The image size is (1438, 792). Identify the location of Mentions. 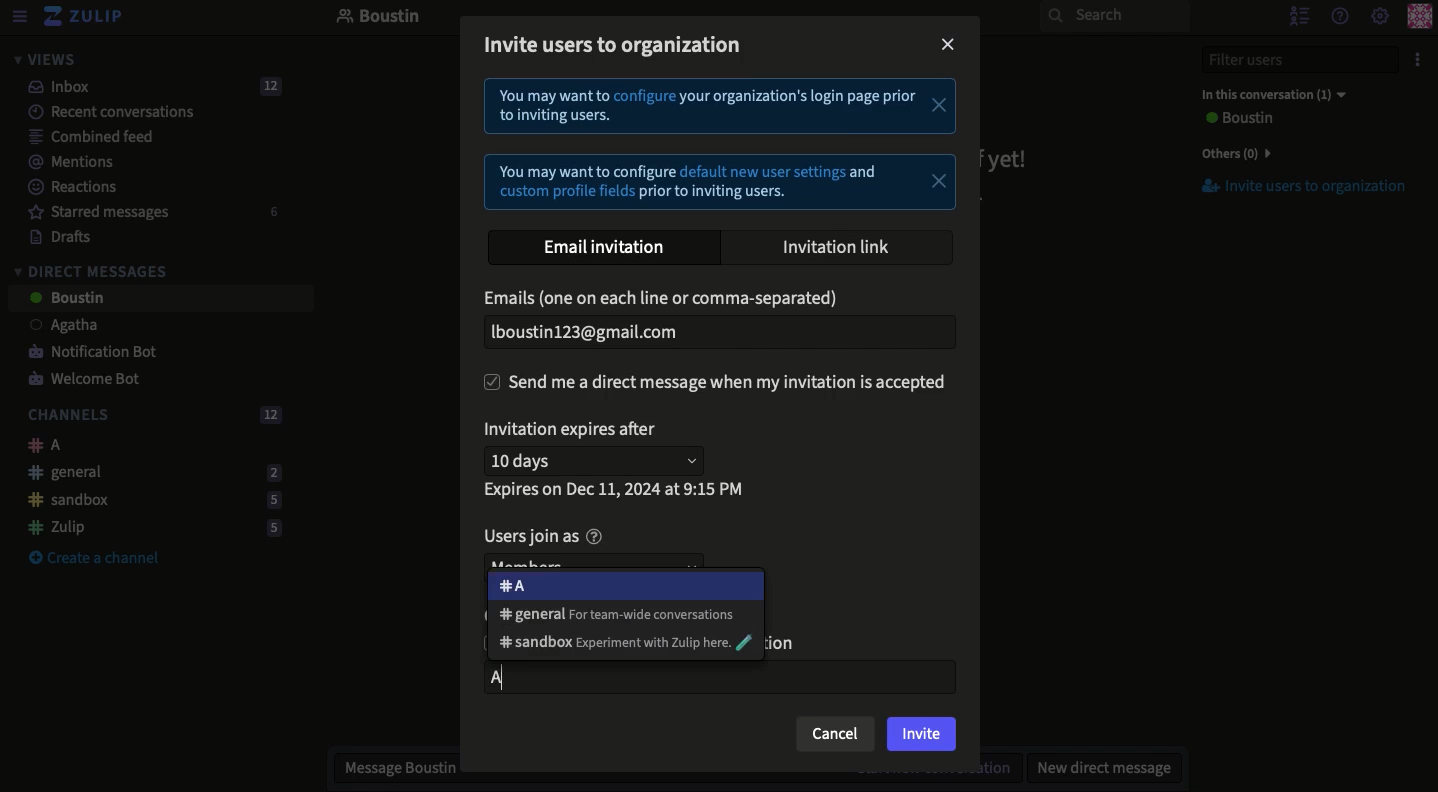
(64, 162).